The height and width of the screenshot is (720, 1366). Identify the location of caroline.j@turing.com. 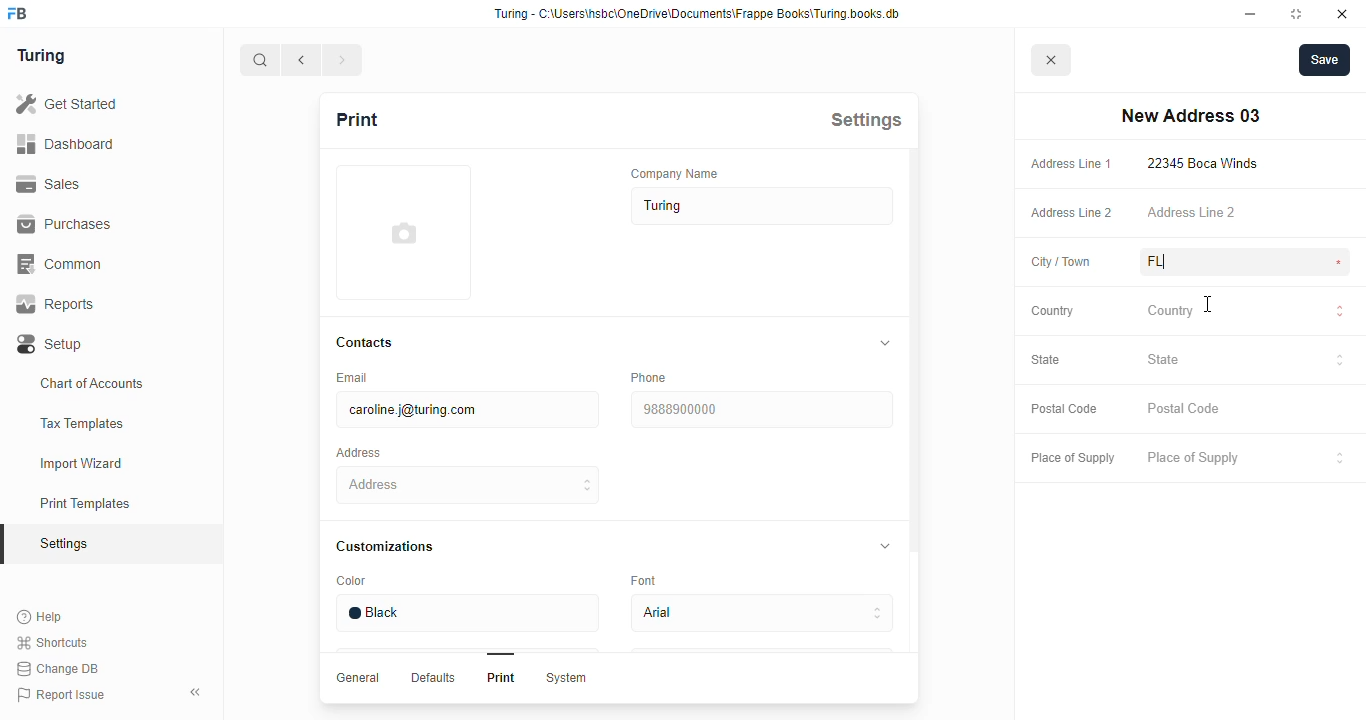
(466, 410).